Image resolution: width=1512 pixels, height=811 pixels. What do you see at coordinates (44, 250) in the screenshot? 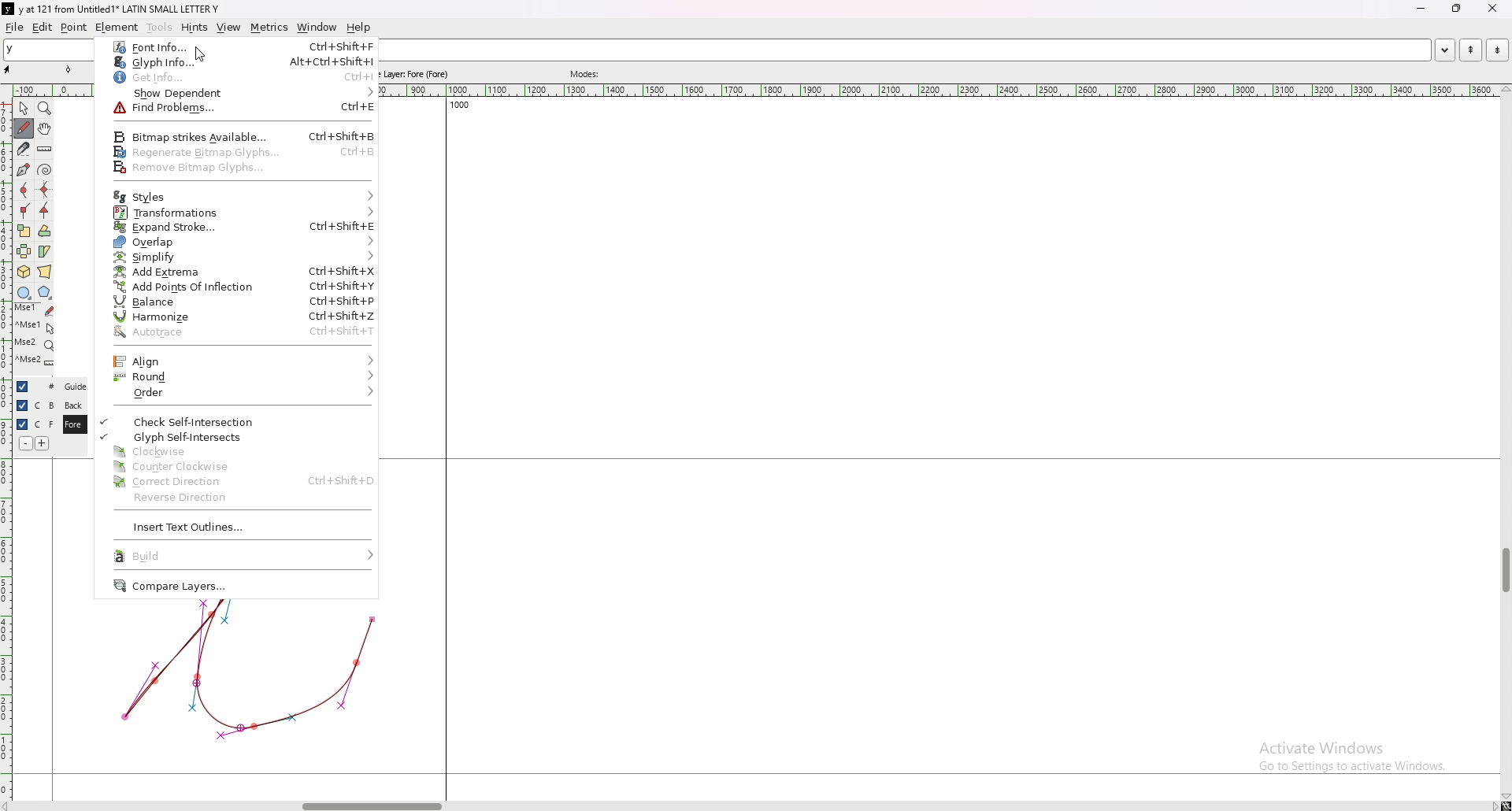
I see `skew the selection` at bounding box center [44, 250].